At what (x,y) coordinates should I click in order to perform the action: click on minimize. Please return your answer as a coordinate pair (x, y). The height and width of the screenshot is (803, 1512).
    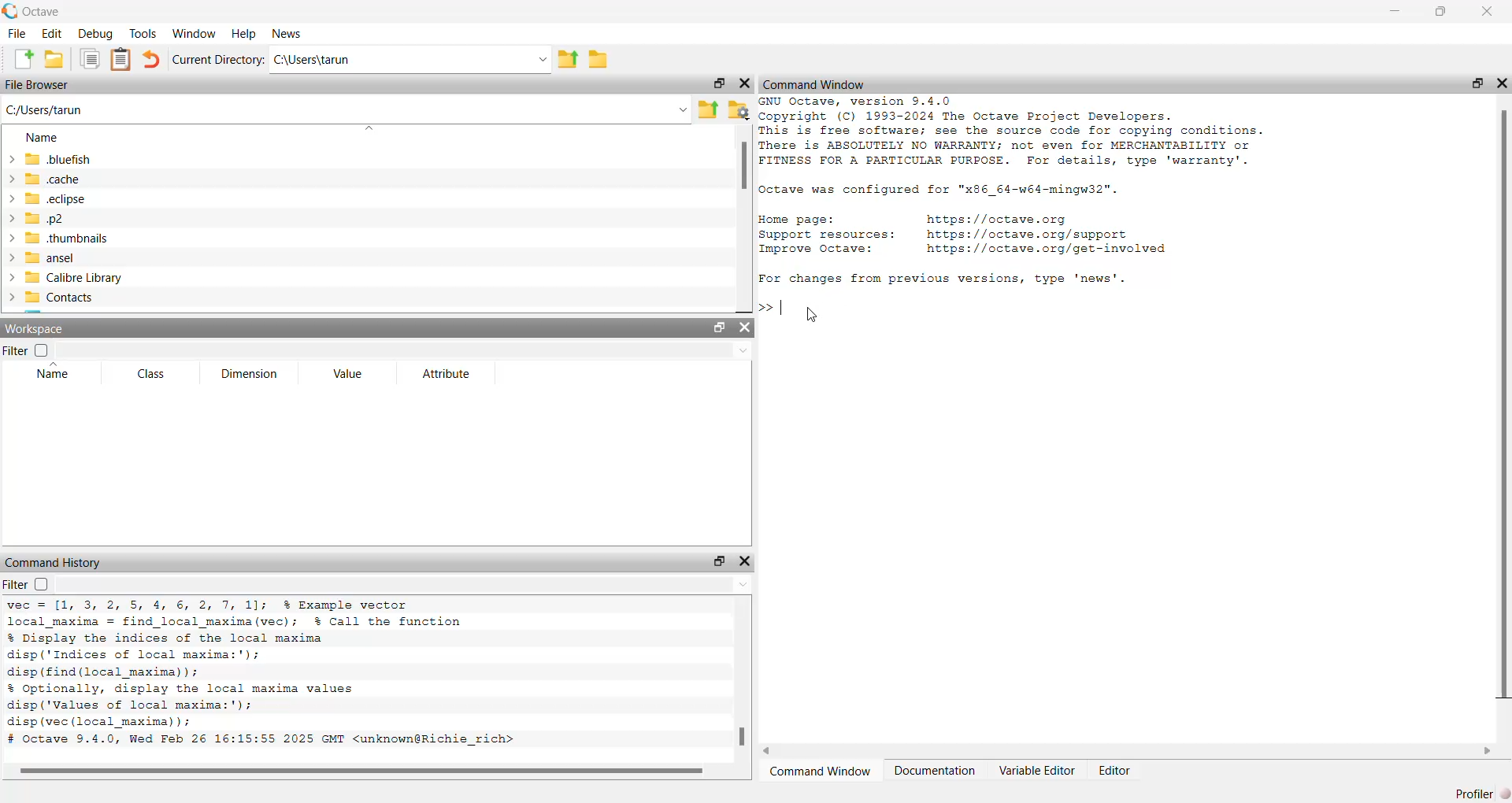
    Looking at the image, I should click on (1396, 11).